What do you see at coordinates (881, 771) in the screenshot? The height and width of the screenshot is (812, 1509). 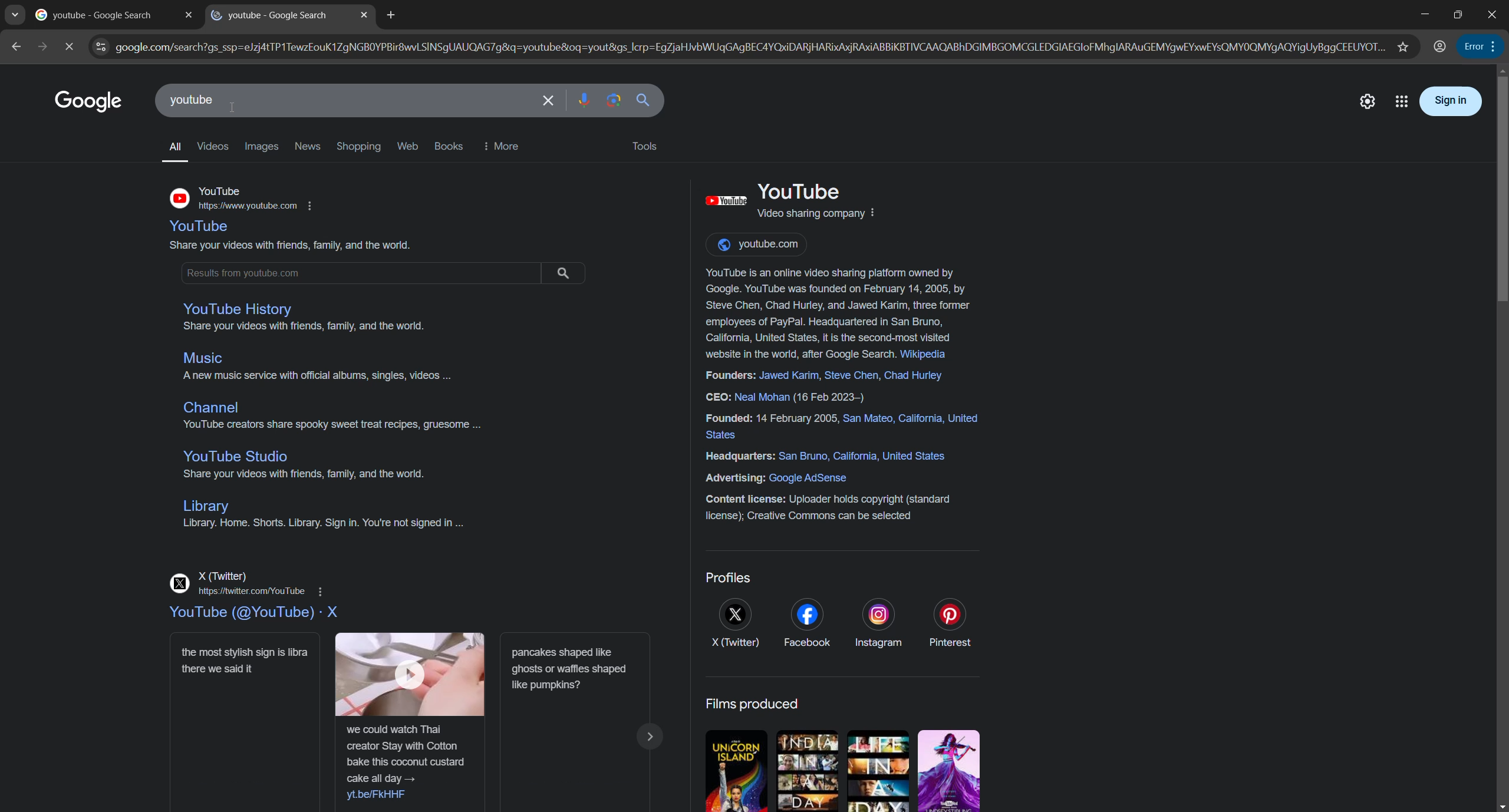 I see `film-3` at bounding box center [881, 771].